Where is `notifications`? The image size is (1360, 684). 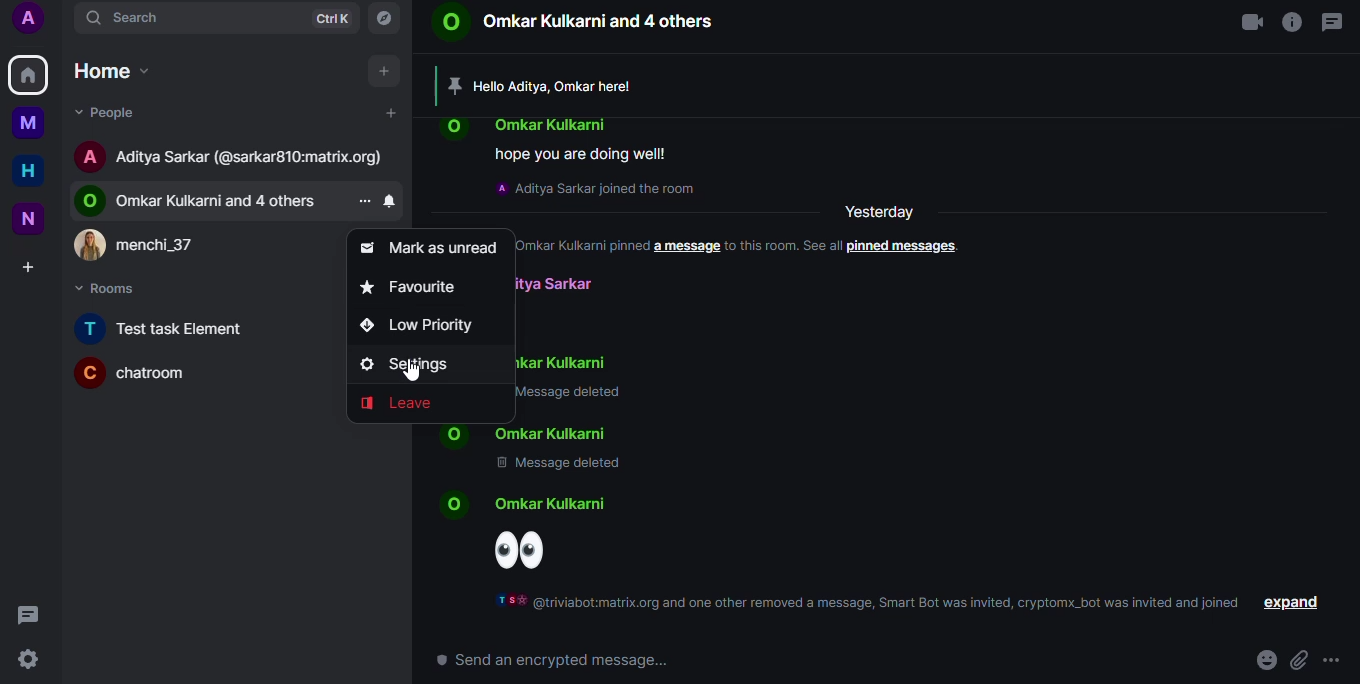 notifications is located at coordinates (395, 202).